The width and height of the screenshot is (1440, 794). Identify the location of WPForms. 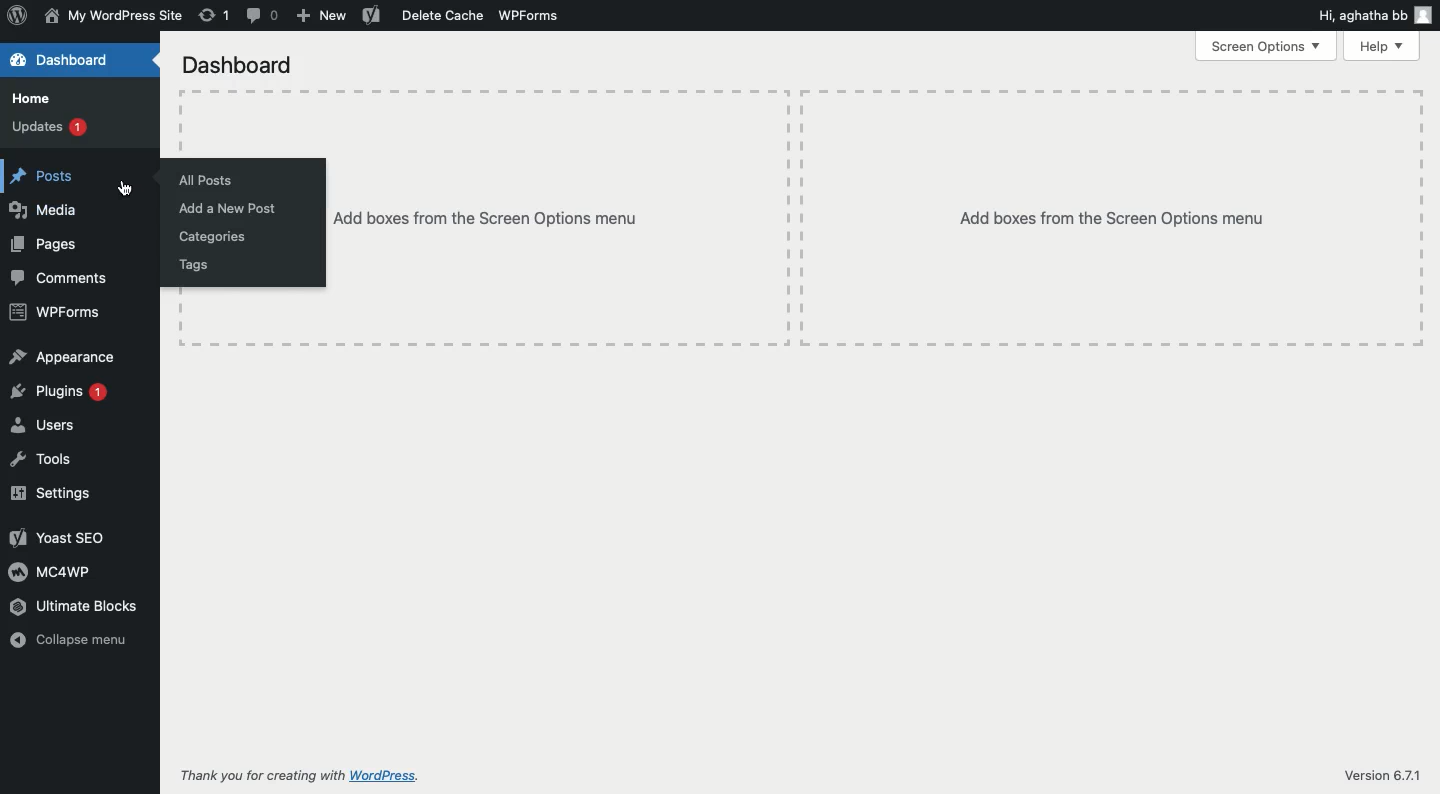
(54, 314).